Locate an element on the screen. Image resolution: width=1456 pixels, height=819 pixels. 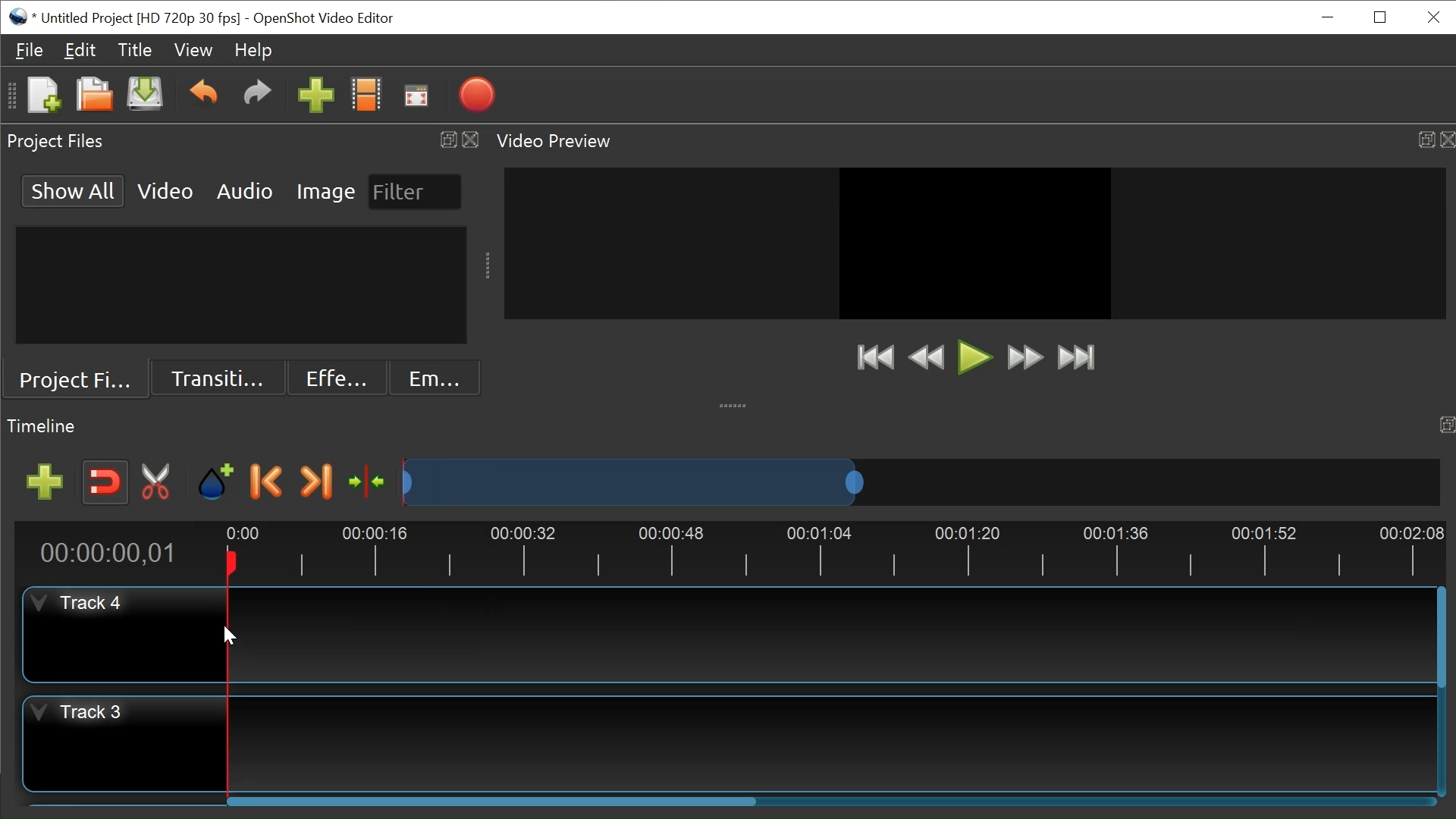
Track Panel is located at coordinates (830, 743).